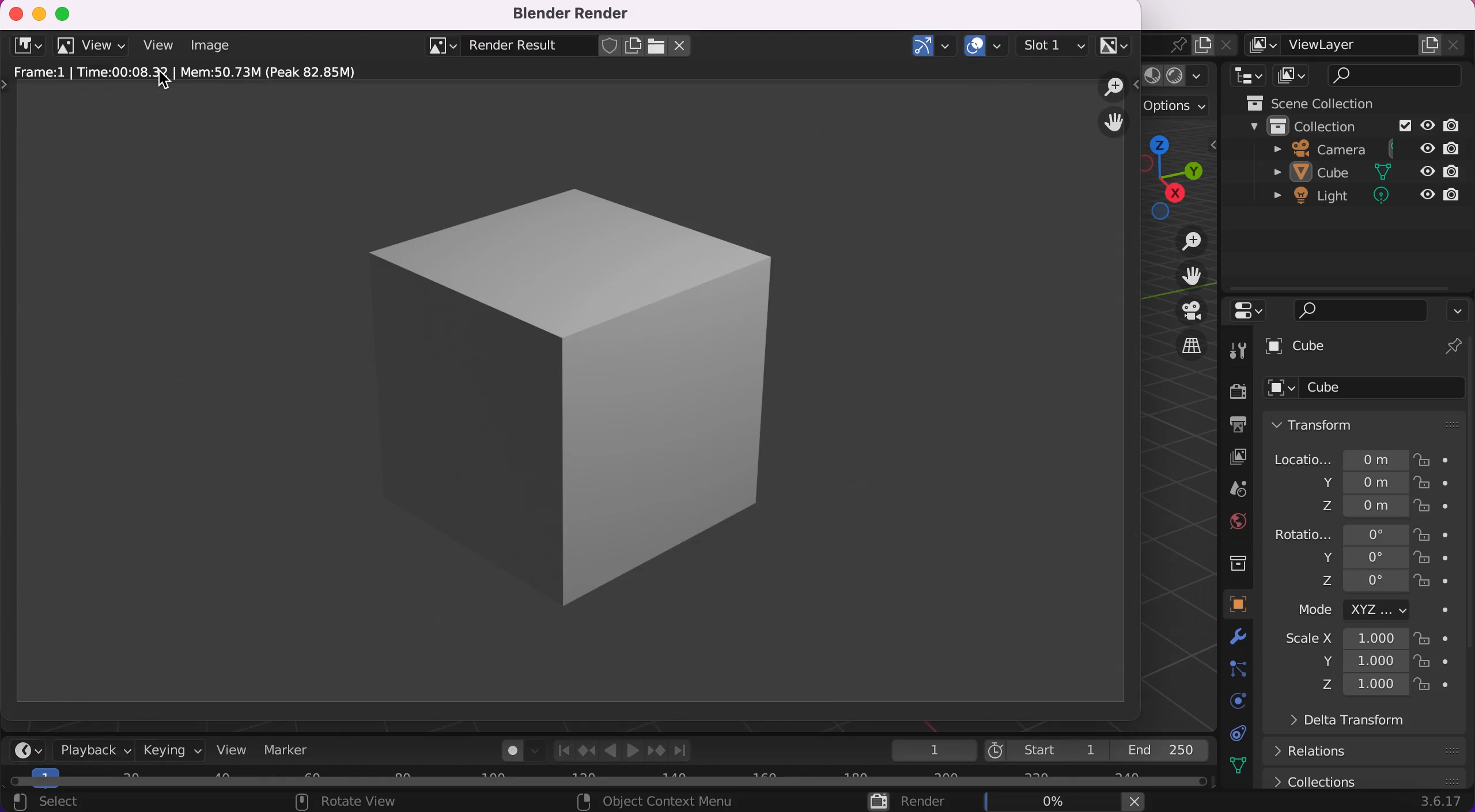 Image resolution: width=1475 pixels, height=812 pixels. What do you see at coordinates (1344, 639) in the screenshot?
I see `scale x 1.000` at bounding box center [1344, 639].